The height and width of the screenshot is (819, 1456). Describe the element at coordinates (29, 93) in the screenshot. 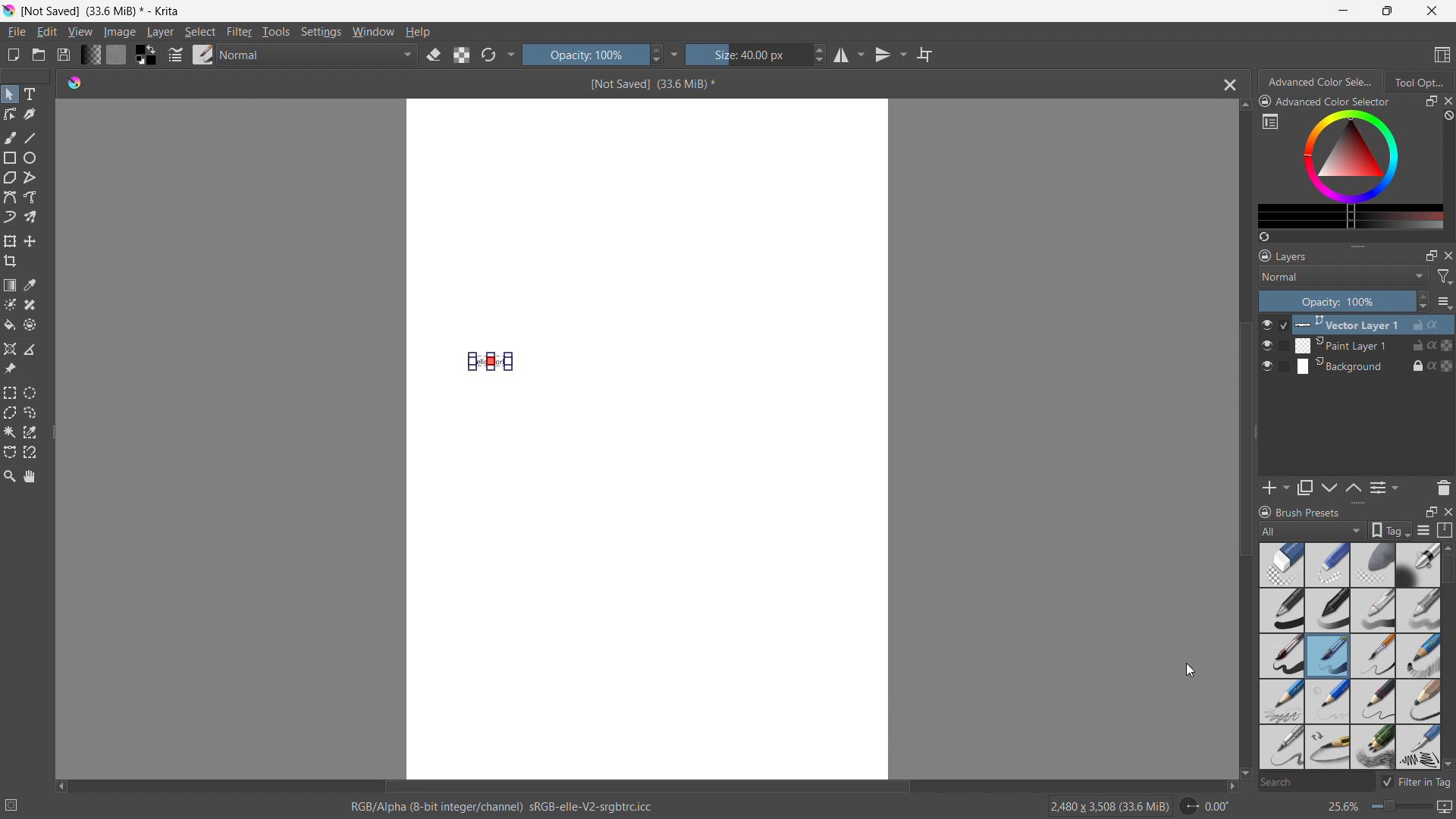

I see `text tool` at that location.